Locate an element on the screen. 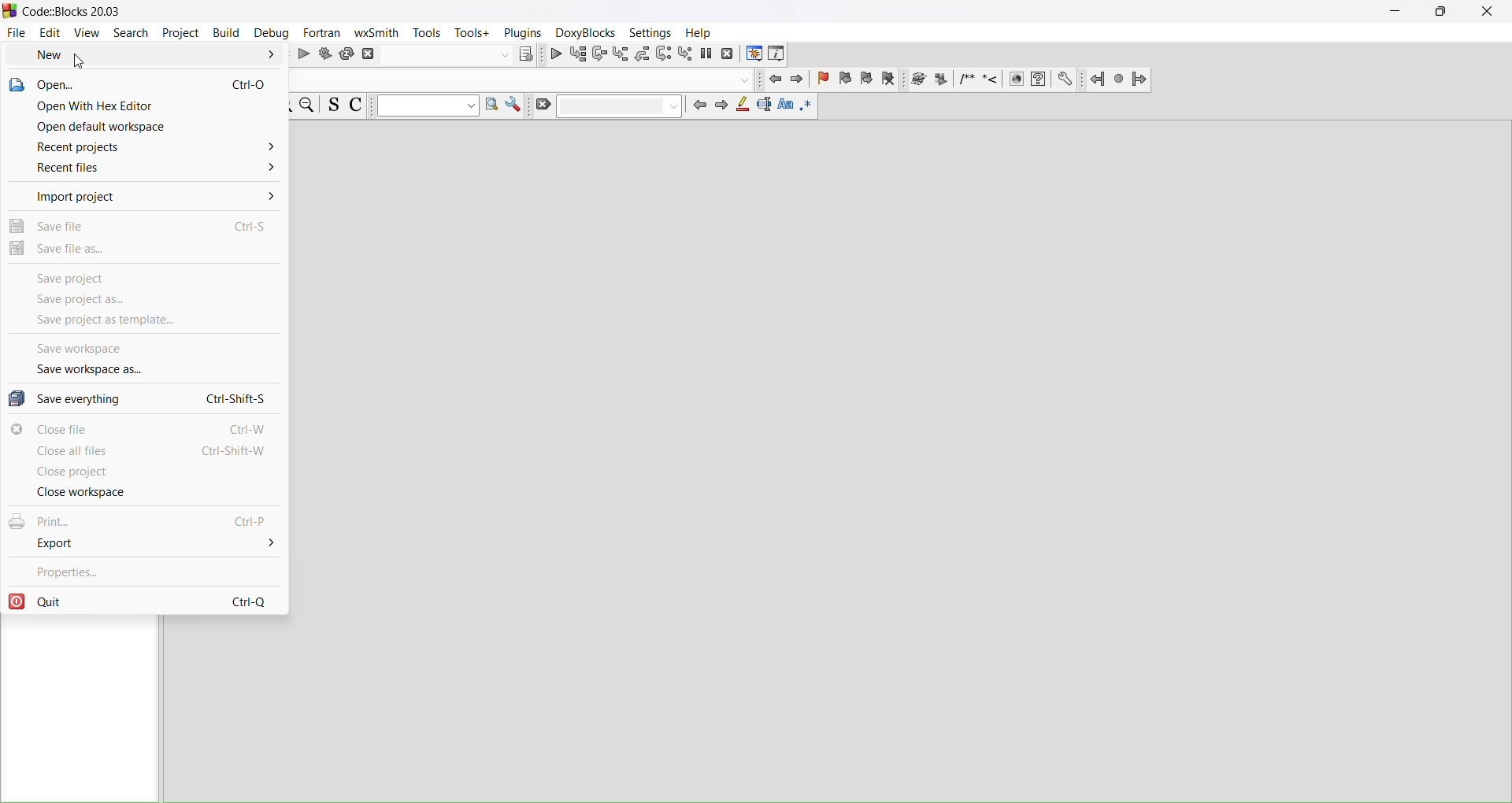  edit is located at coordinates (50, 33).